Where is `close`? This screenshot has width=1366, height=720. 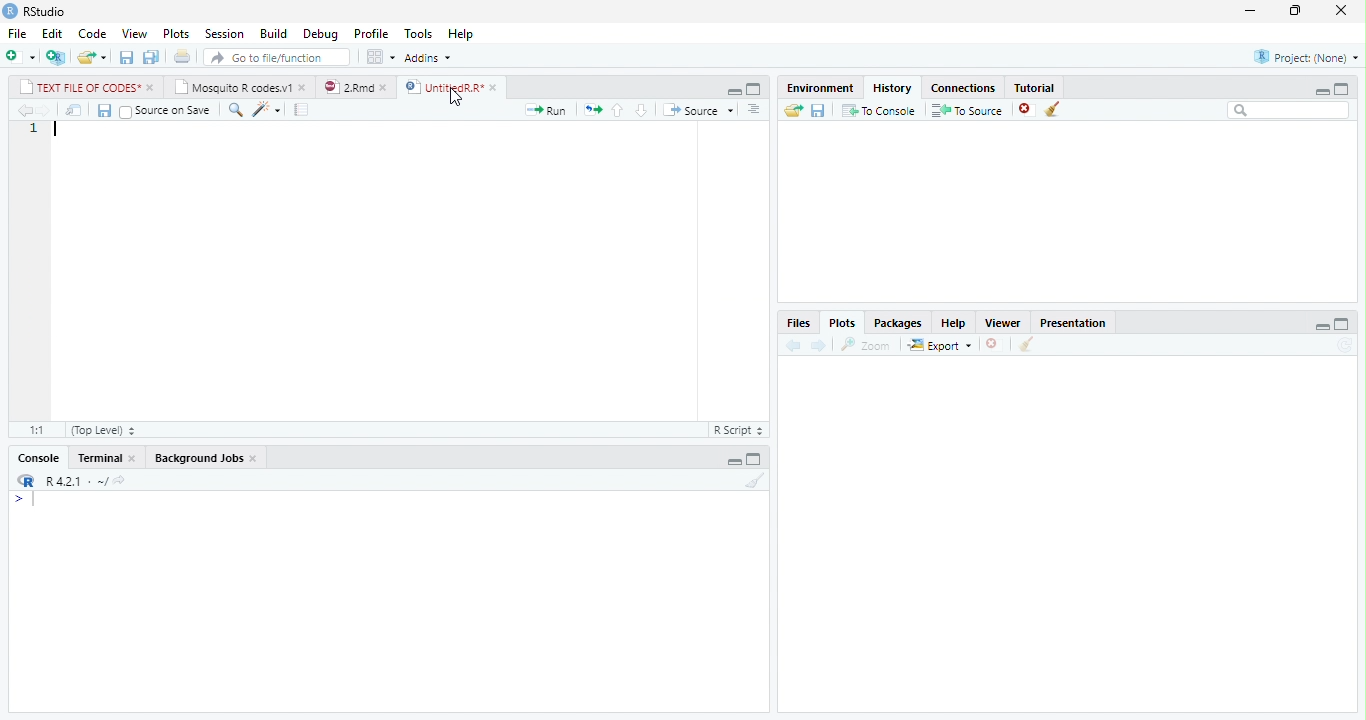
close is located at coordinates (387, 87).